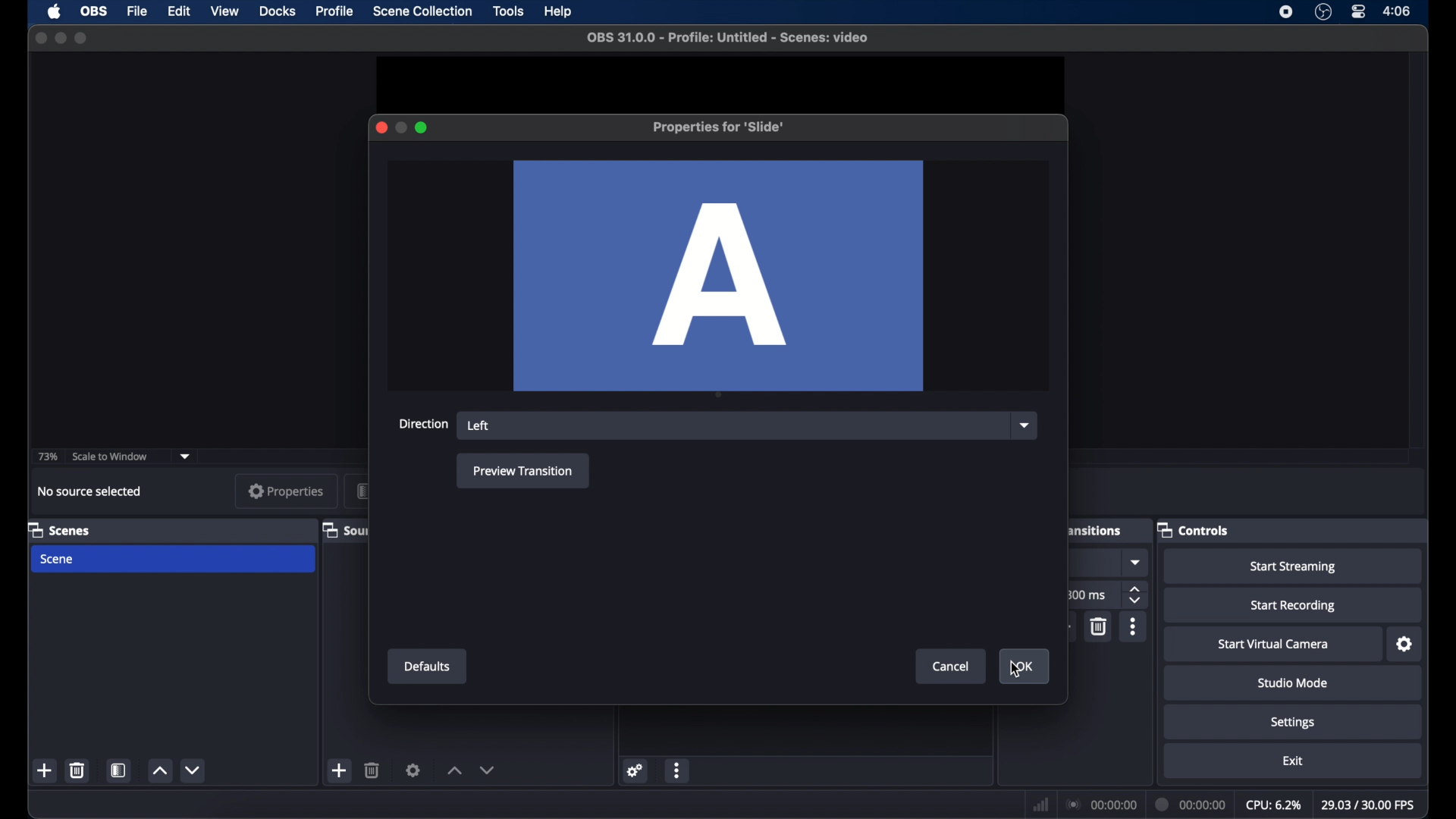 This screenshot has height=819, width=1456. Describe the element at coordinates (1293, 567) in the screenshot. I see `start streaming` at that location.